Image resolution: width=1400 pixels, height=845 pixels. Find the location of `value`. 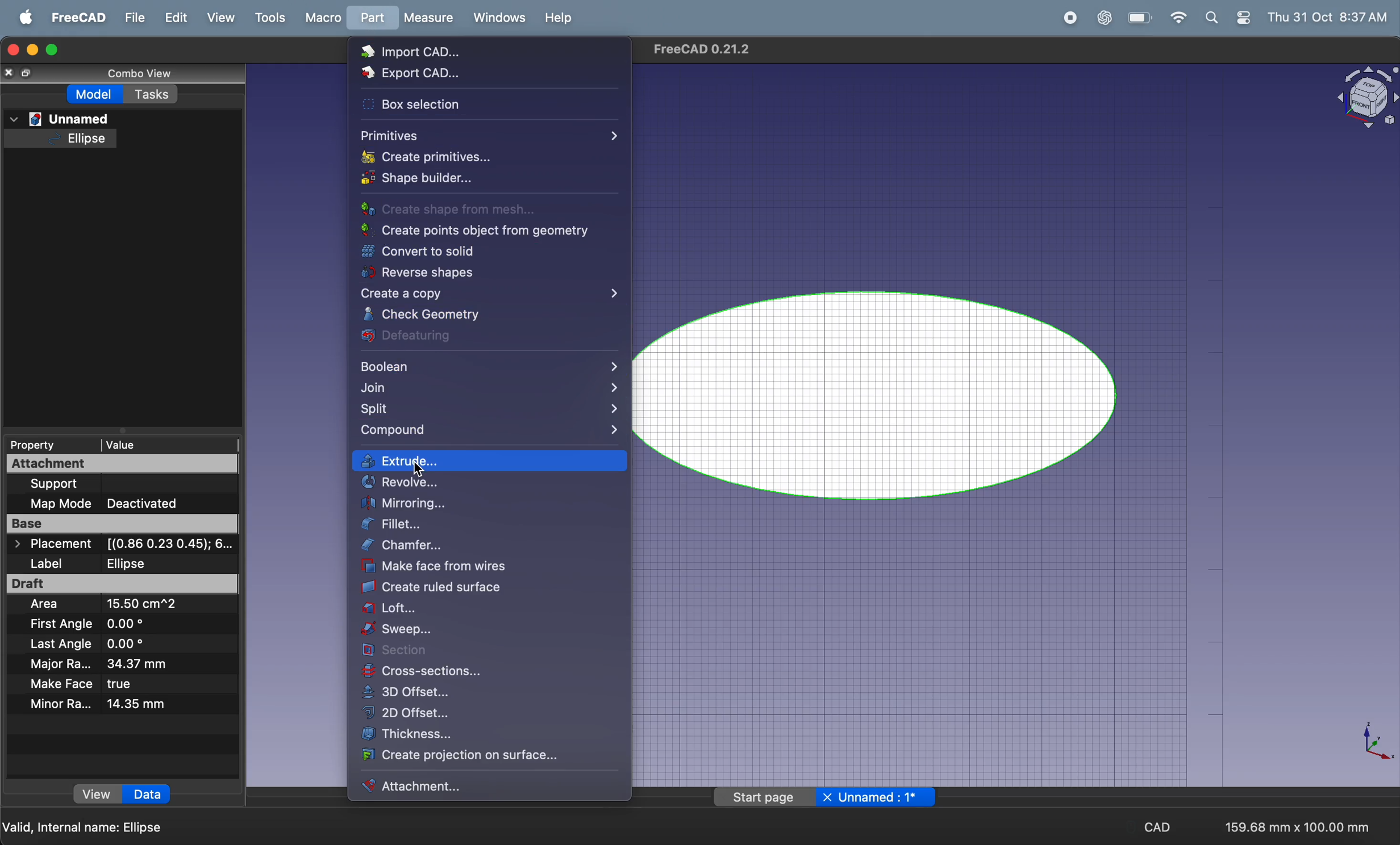

value is located at coordinates (165, 442).